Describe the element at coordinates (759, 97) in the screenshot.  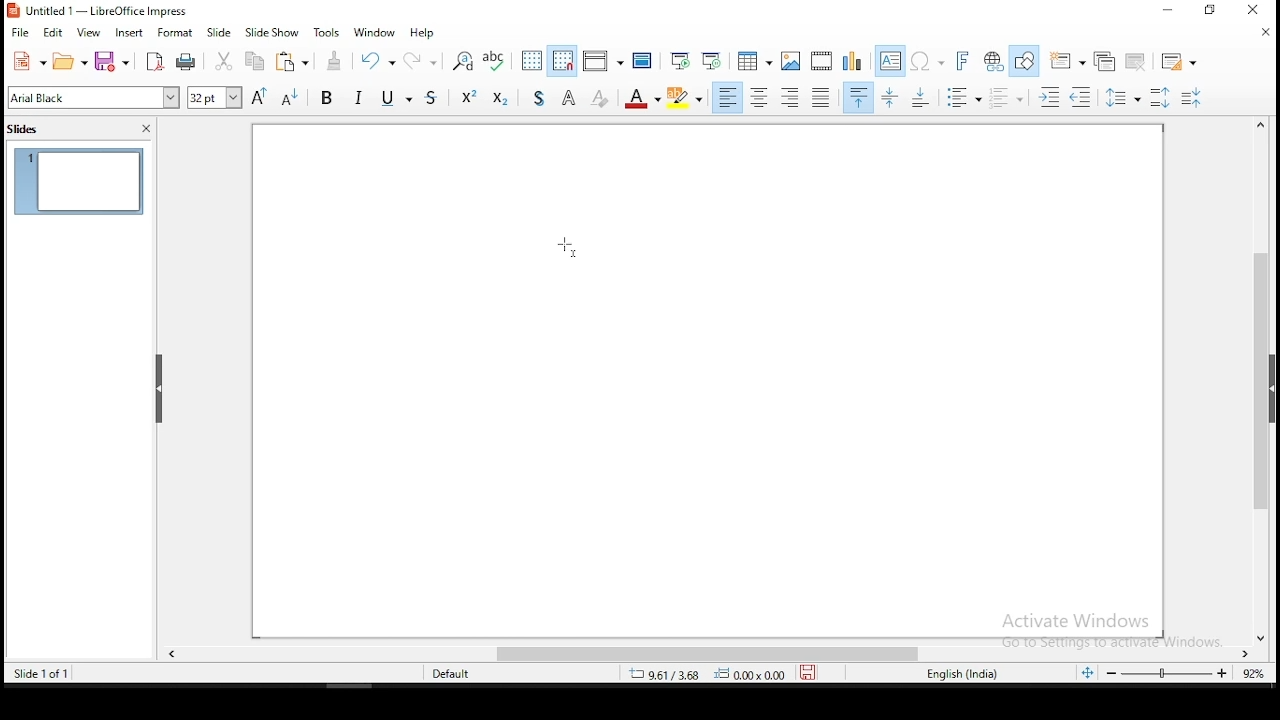
I see `Centre Align` at that location.